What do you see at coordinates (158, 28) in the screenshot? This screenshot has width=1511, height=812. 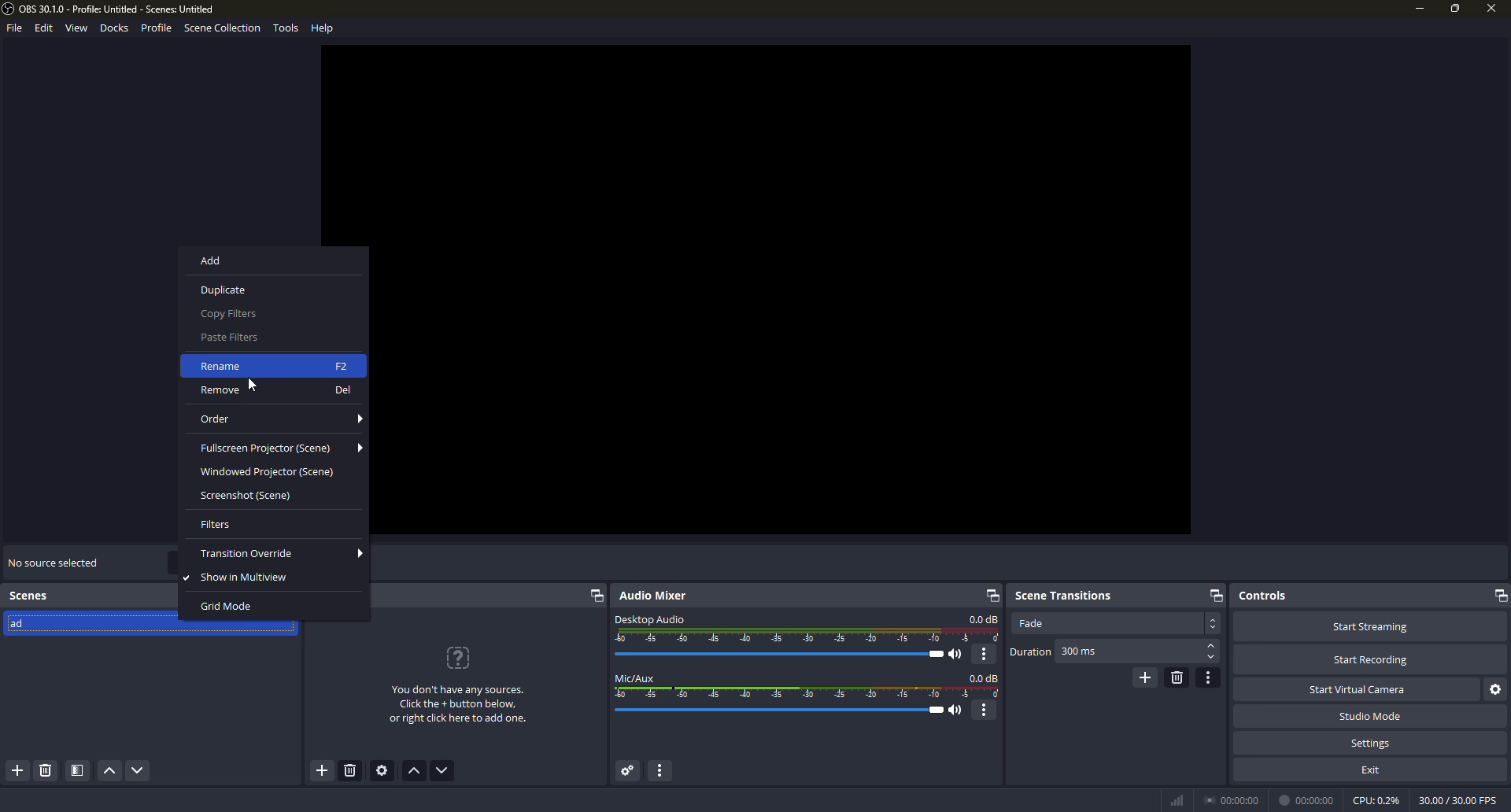 I see `profile` at bounding box center [158, 28].